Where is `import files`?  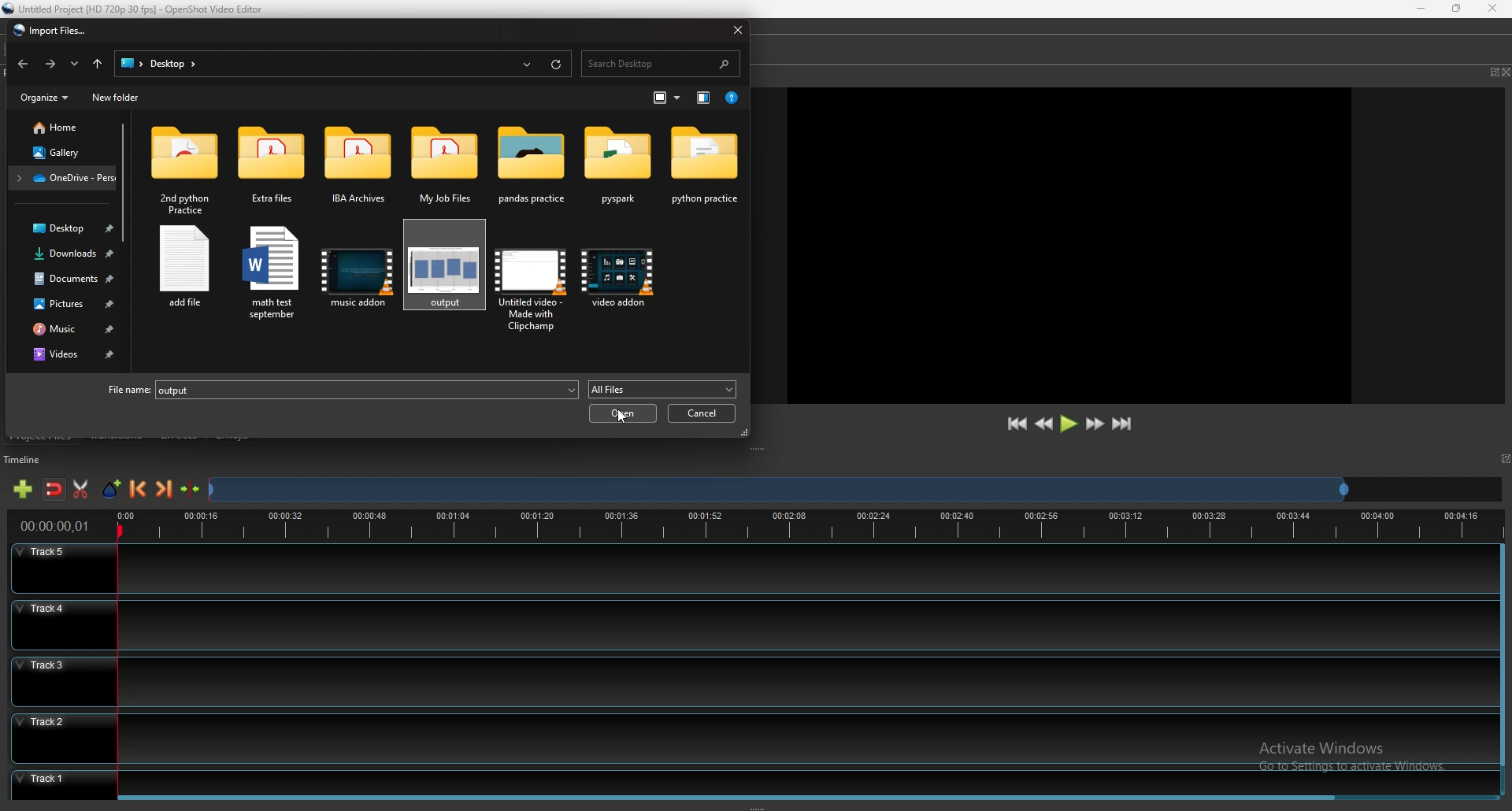
import files is located at coordinates (49, 30).